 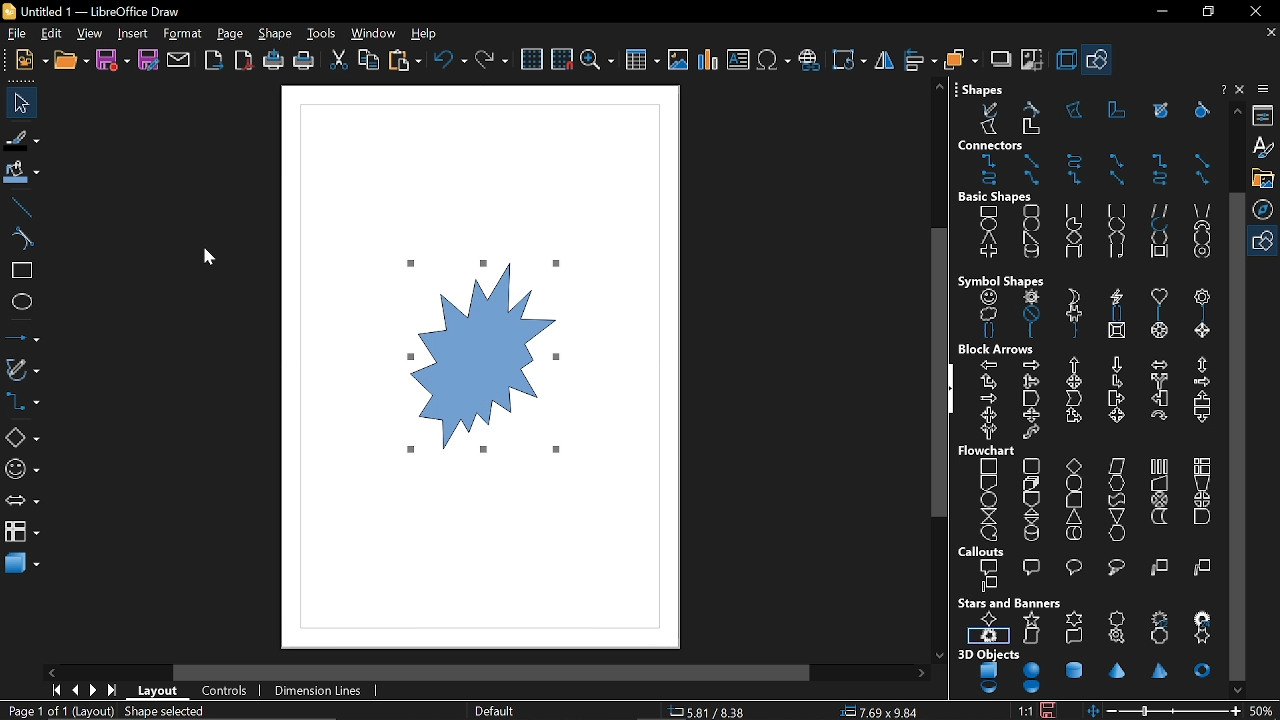 What do you see at coordinates (135, 33) in the screenshot?
I see `insert` at bounding box center [135, 33].